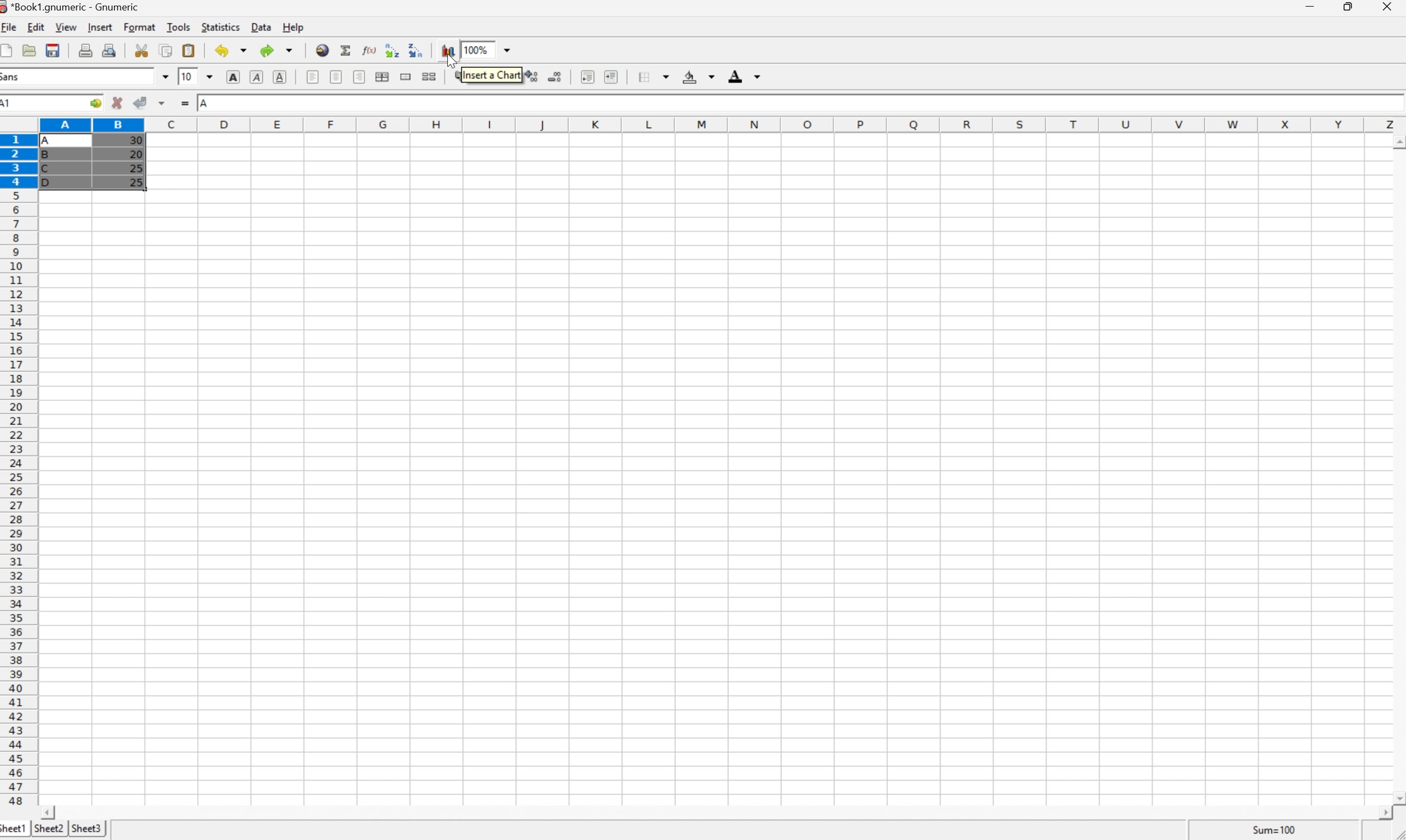  I want to click on Decrease indent, and align the contents to the left, so click(587, 78).